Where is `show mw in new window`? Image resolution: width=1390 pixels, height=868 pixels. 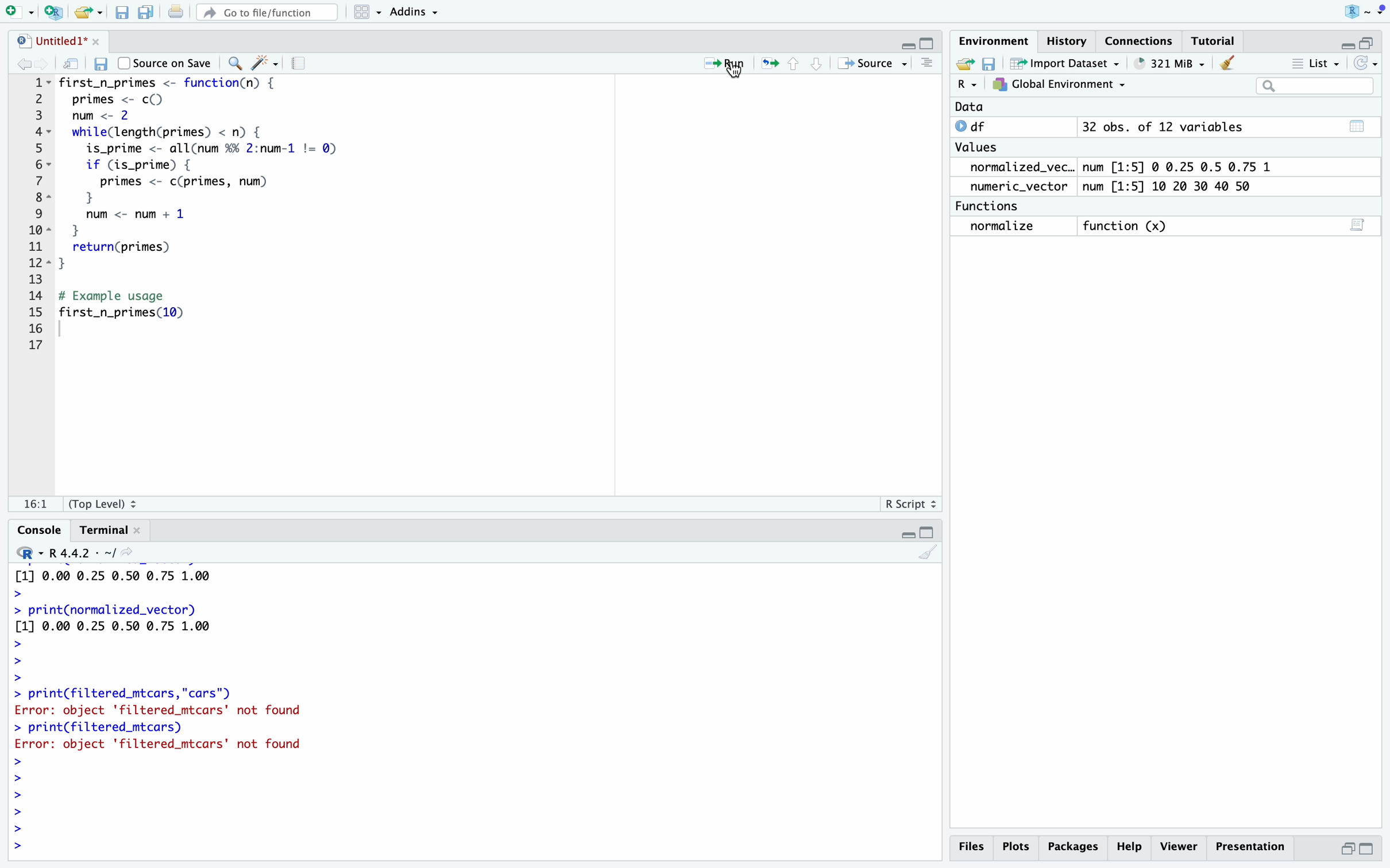 show mw in new window is located at coordinates (73, 60).